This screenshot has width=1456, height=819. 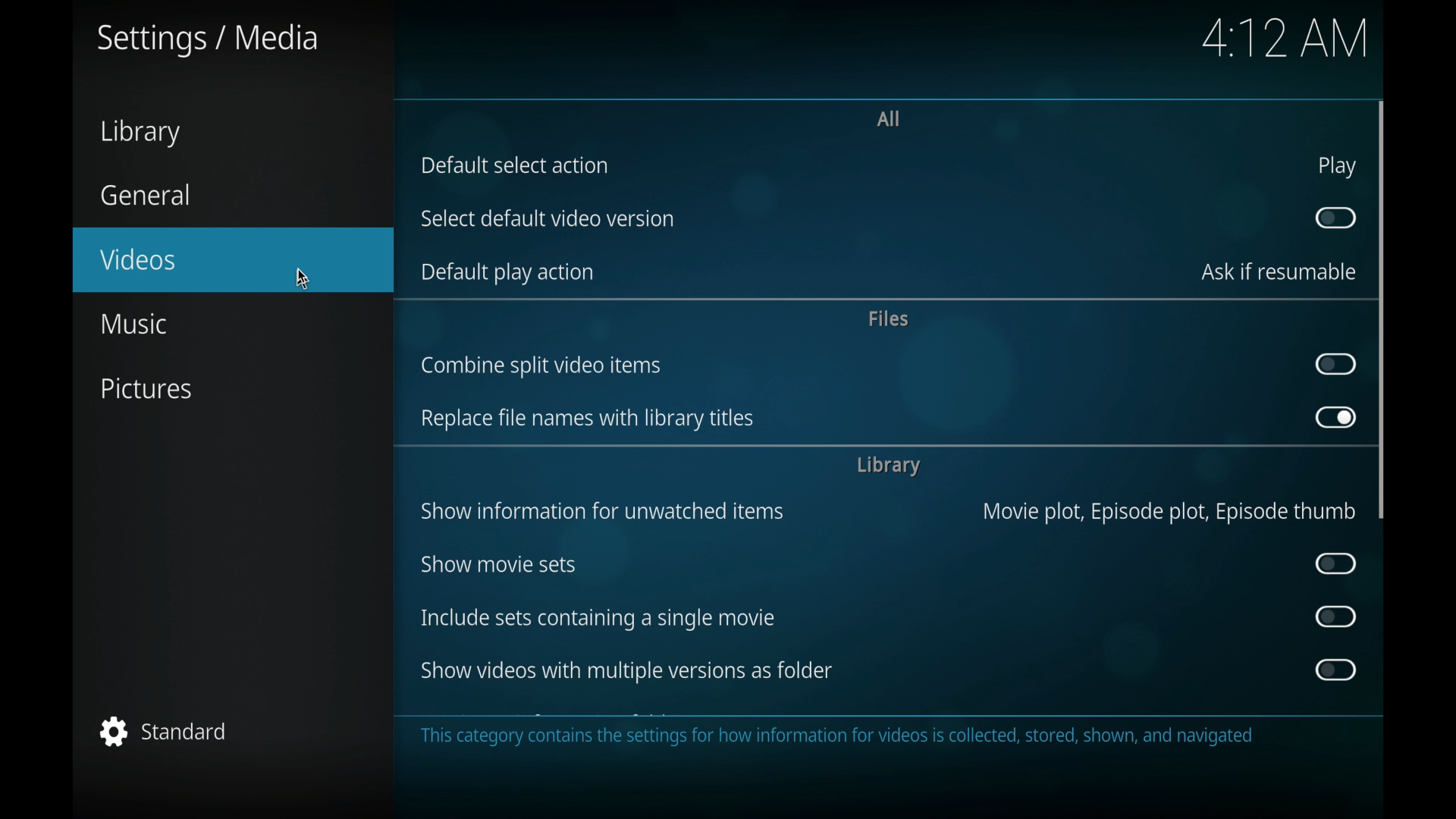 I want to click on include sets containing a single movie, so click(x=597, y=619).